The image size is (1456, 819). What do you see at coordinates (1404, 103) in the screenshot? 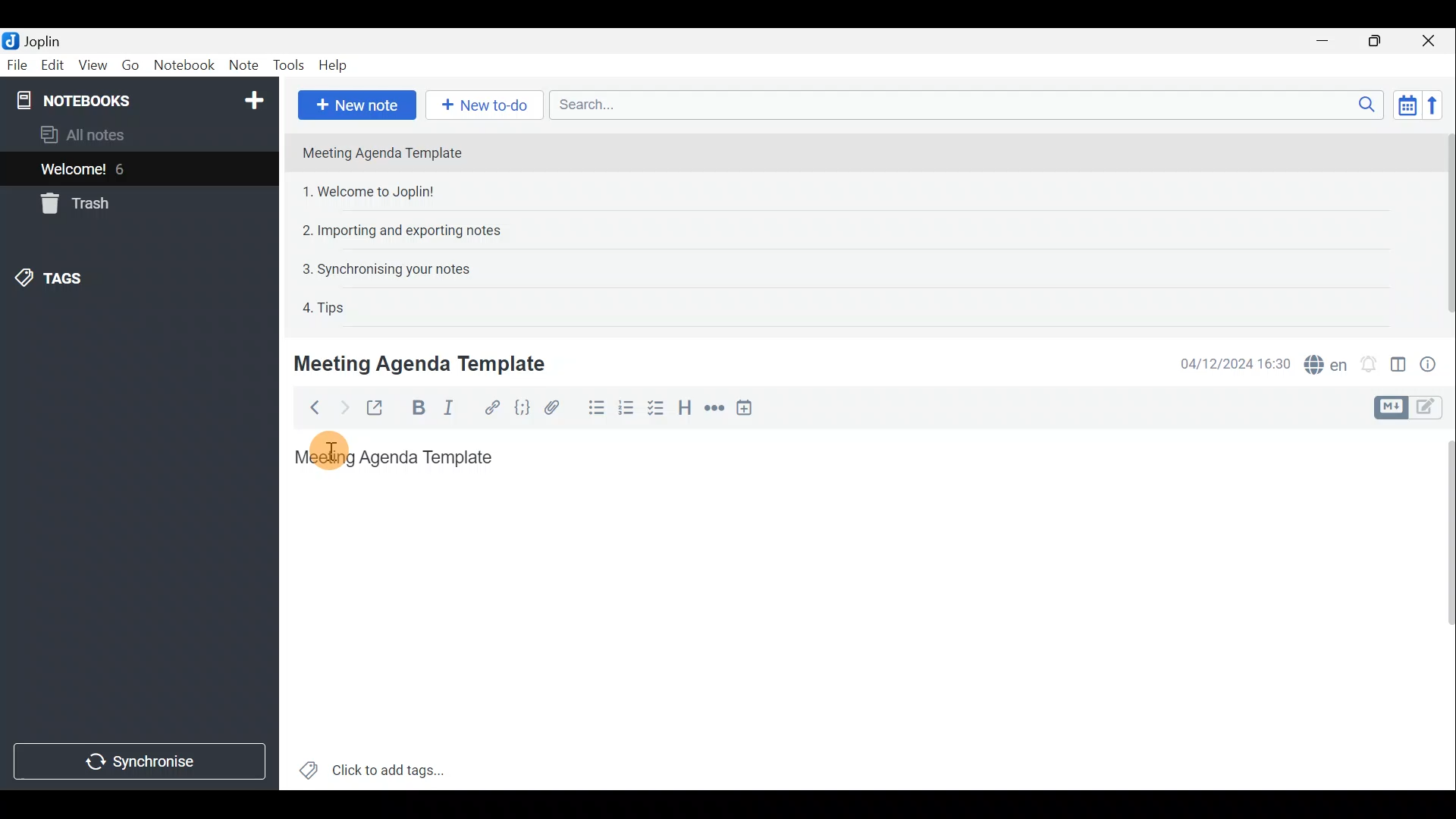
I see `Toggle sort order` at bounding box center [1404, 103].